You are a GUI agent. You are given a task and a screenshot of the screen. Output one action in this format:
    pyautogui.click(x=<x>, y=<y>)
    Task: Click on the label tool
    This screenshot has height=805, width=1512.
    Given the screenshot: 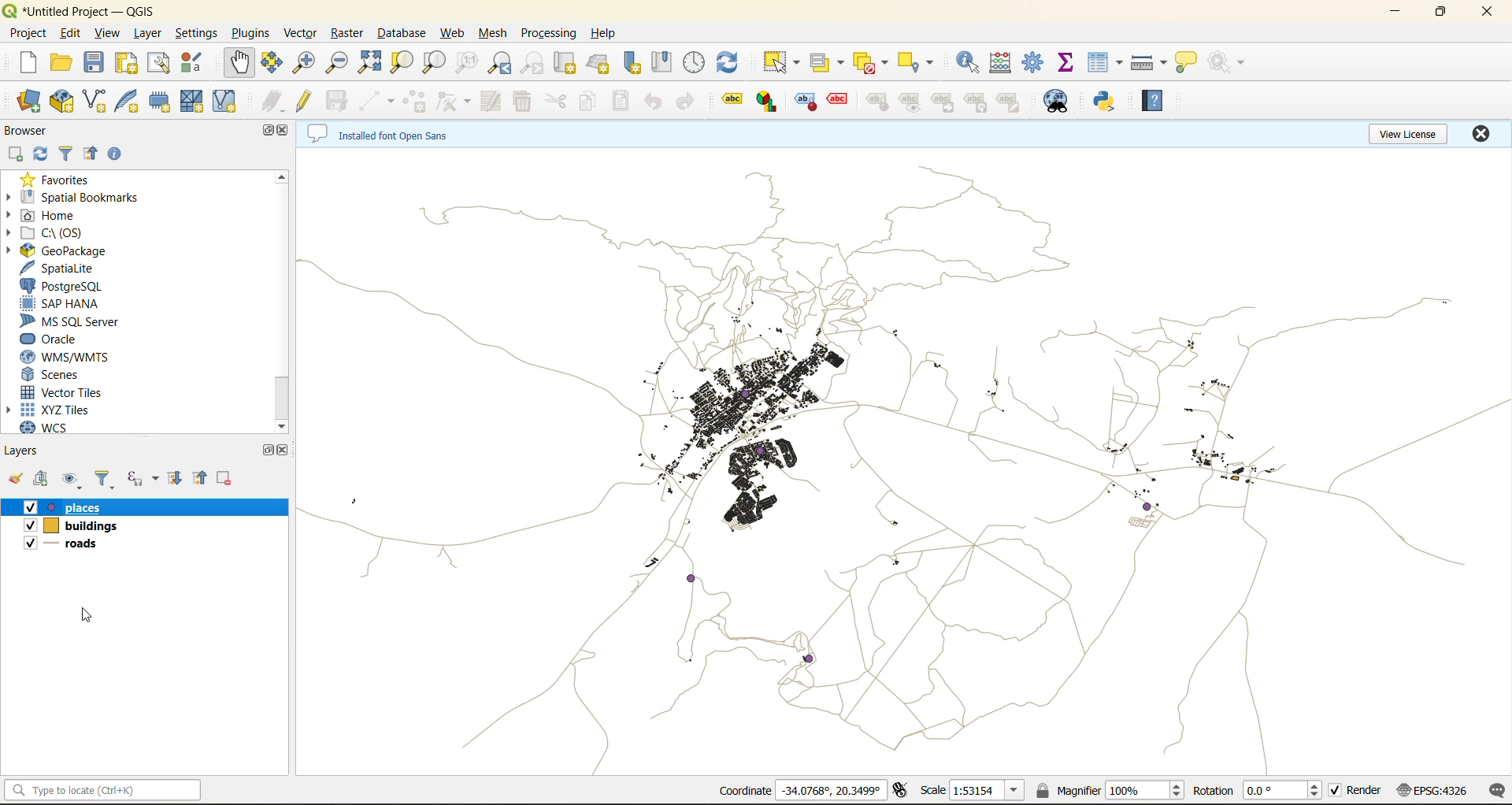 What is the action you would take?
    pyautogui.click(x=807, y=102)
    